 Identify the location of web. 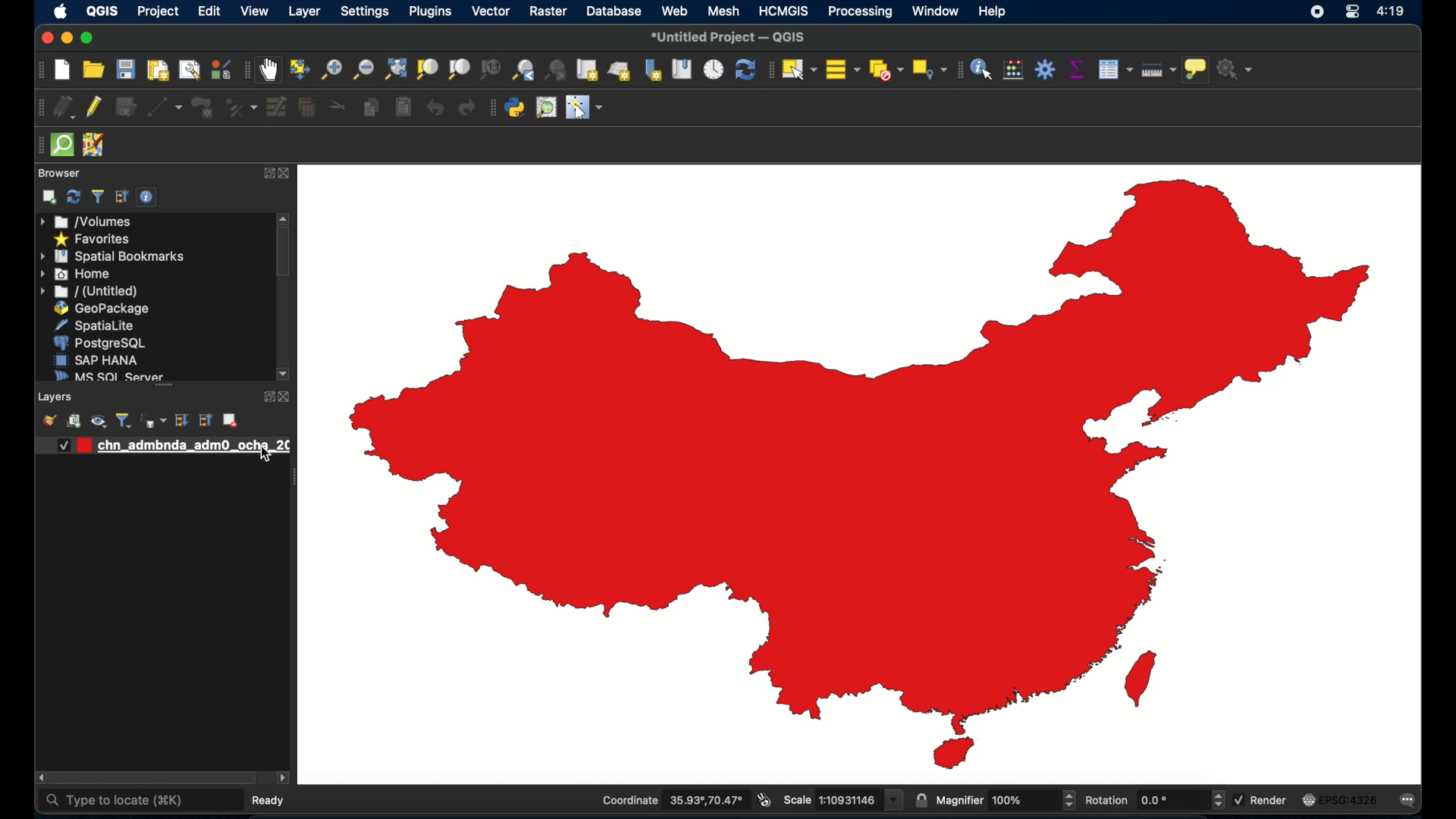
(674, 11).